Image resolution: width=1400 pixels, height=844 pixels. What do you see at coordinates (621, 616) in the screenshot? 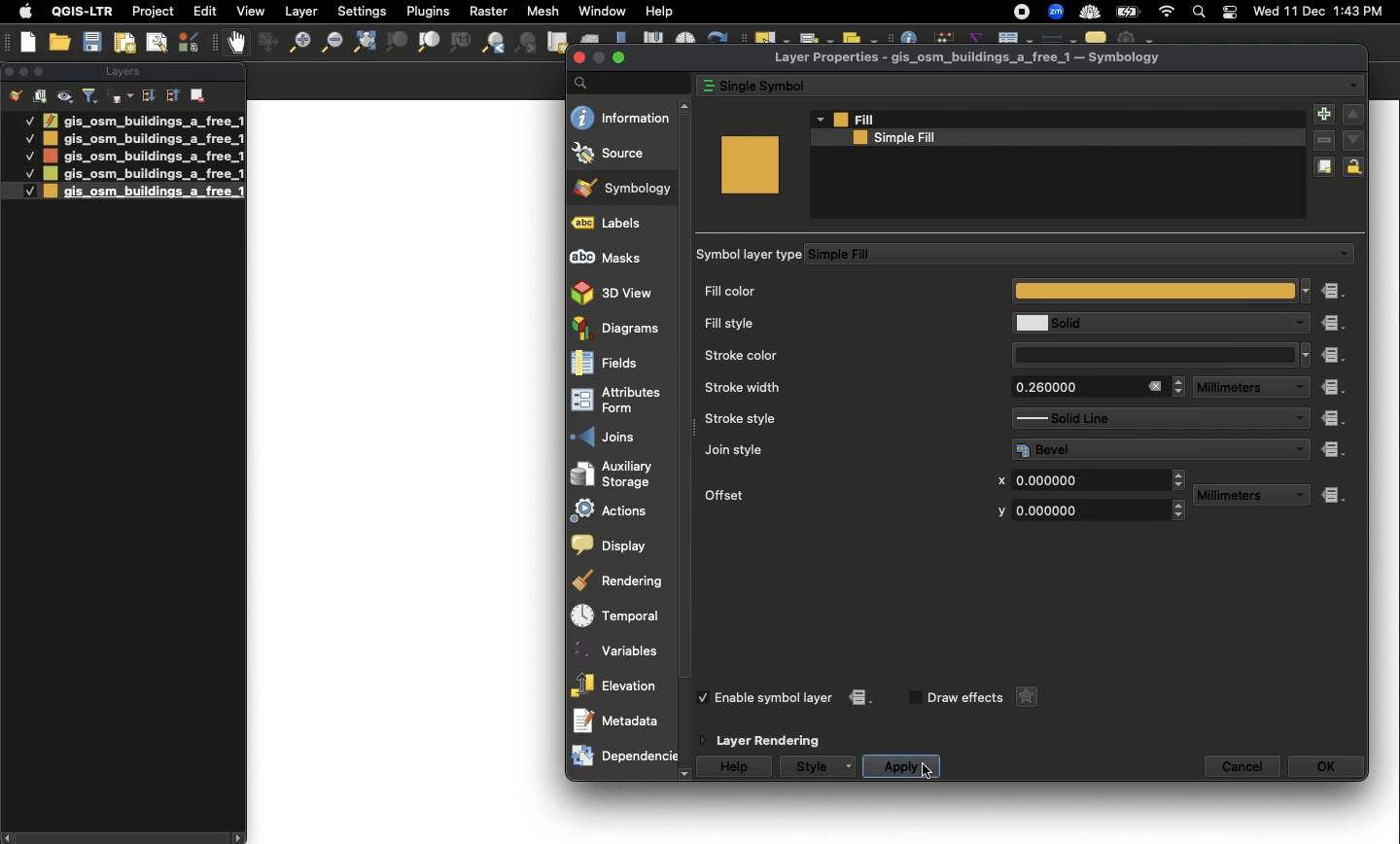
I see `Temporal` at bounding box center [621, 616].